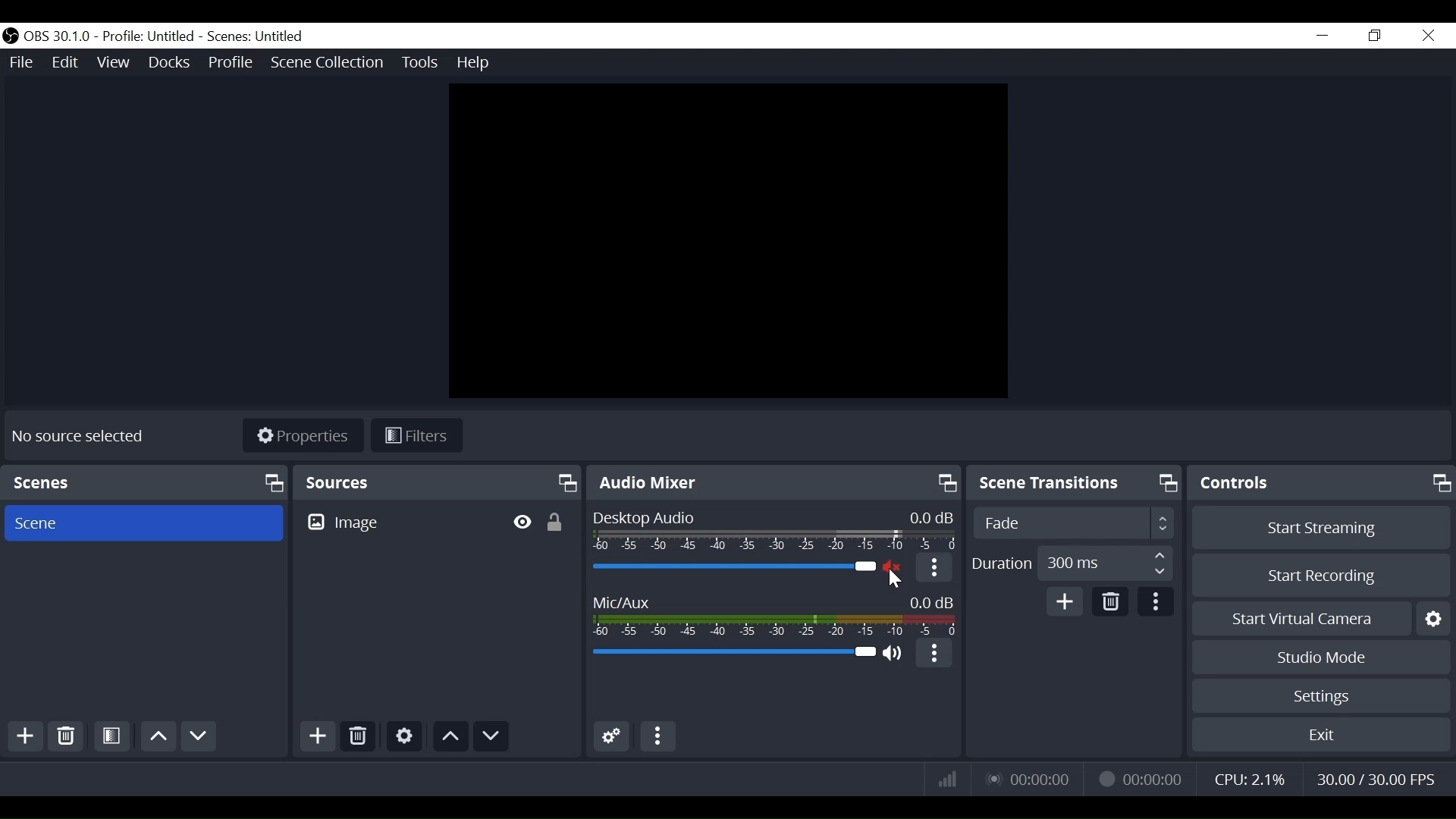  What do you see at coordinates (231, 64) in the screenshot?
I see `Profile` at bounding box center [231, 64].